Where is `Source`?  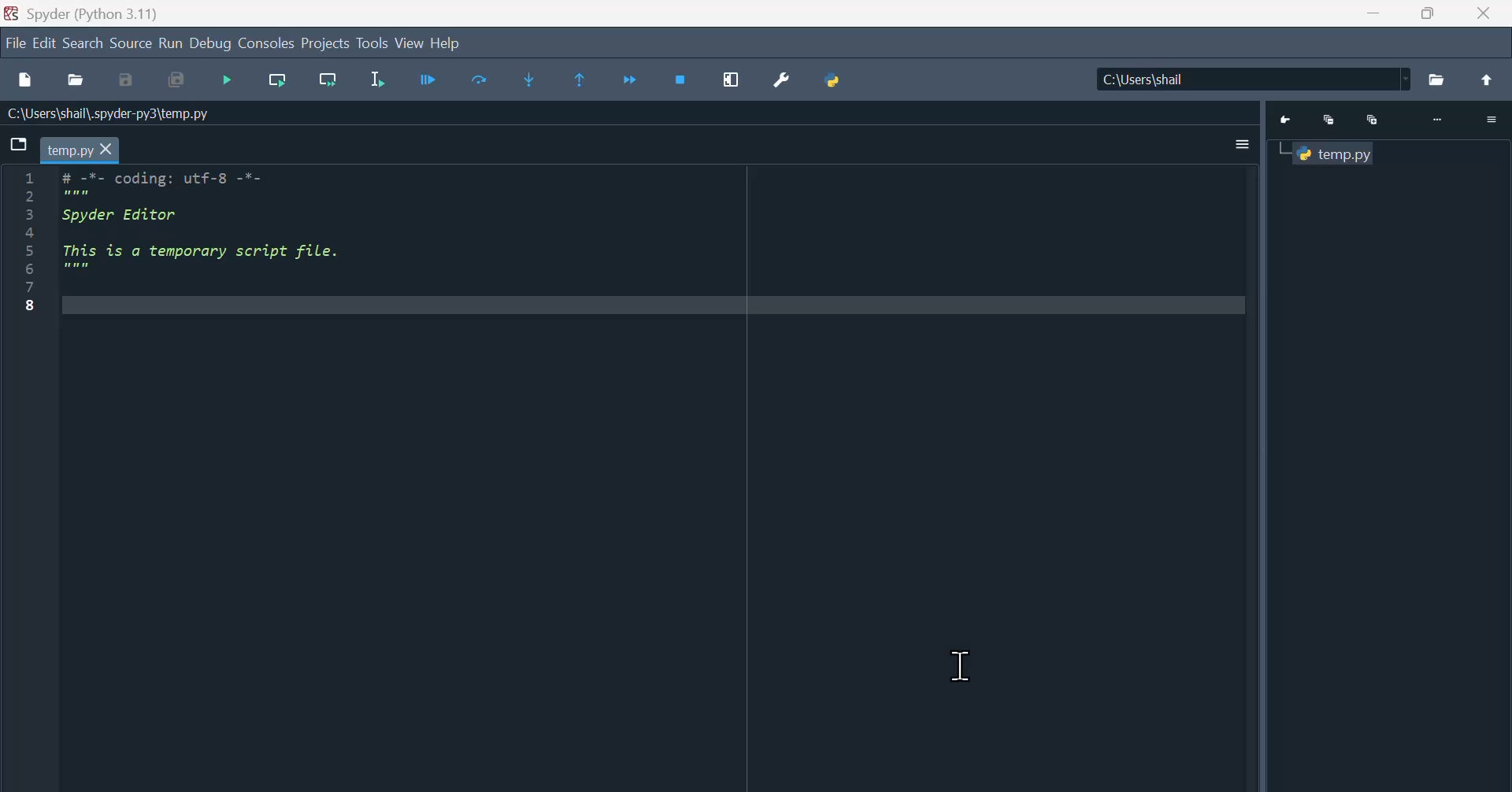
Source is located at coordinates (131, 41).